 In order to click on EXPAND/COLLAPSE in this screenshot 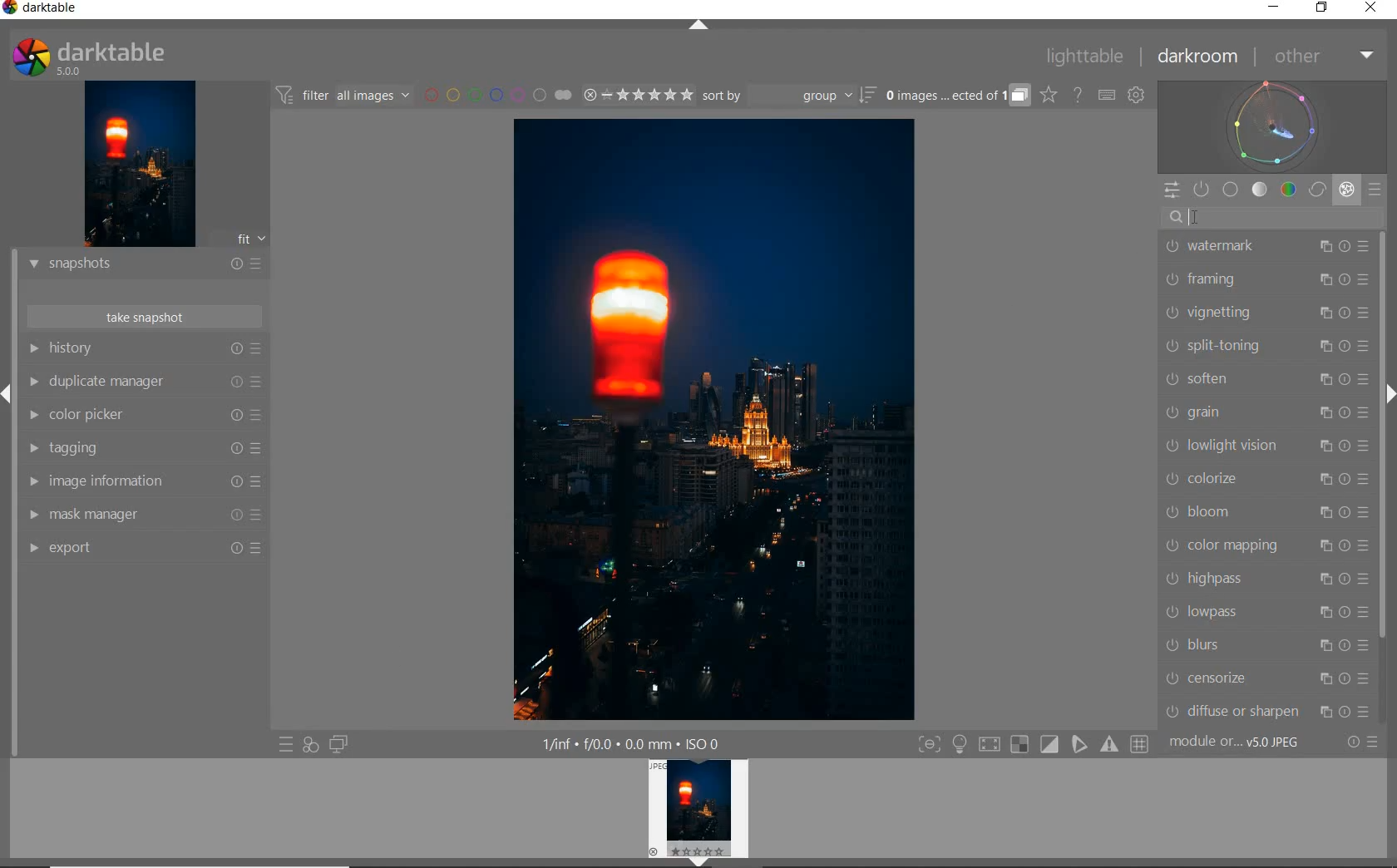, I will do `click(8, 391)`.